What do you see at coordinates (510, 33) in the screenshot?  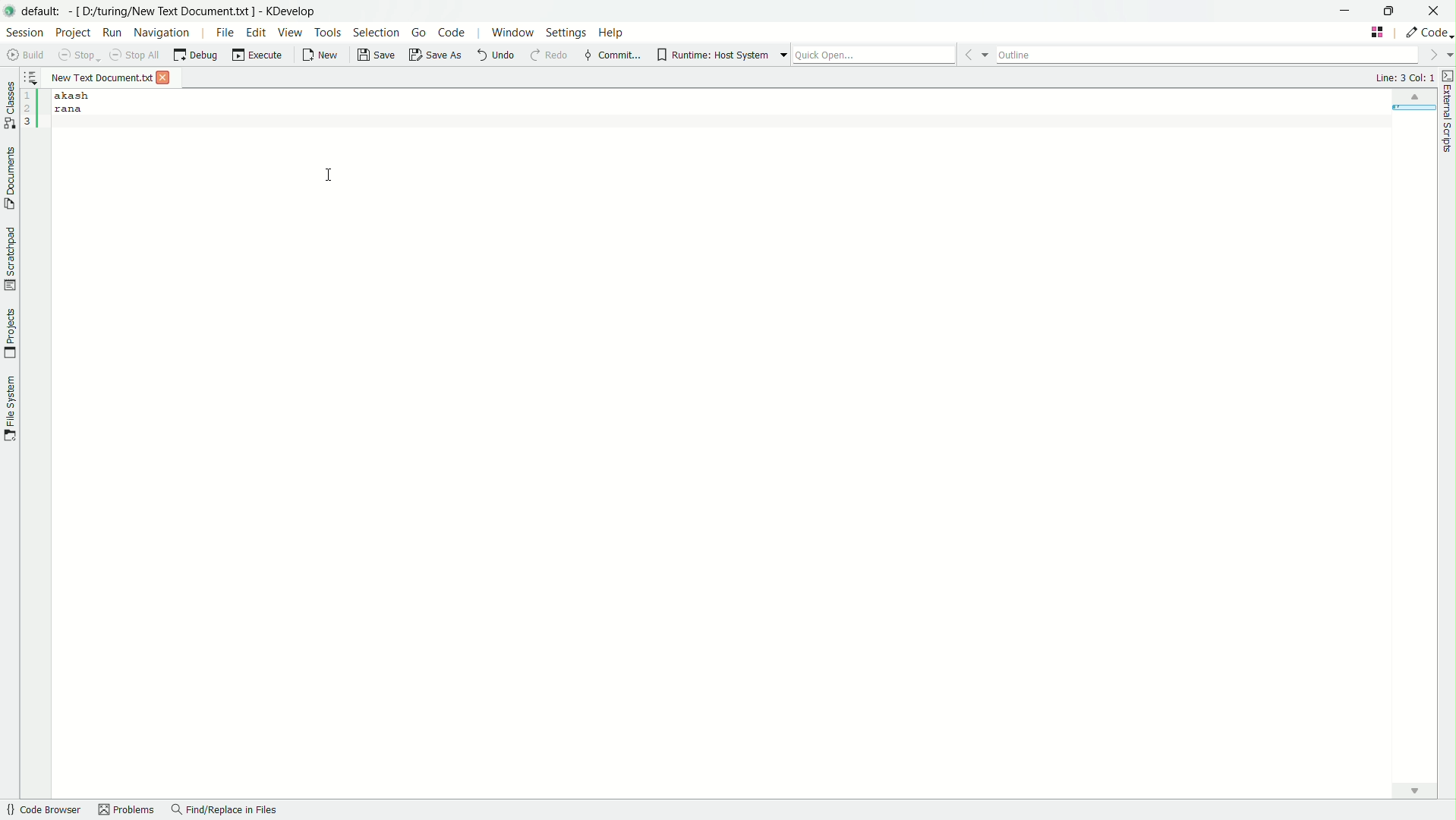 I see `window menu` at bounding box center [510, 33].